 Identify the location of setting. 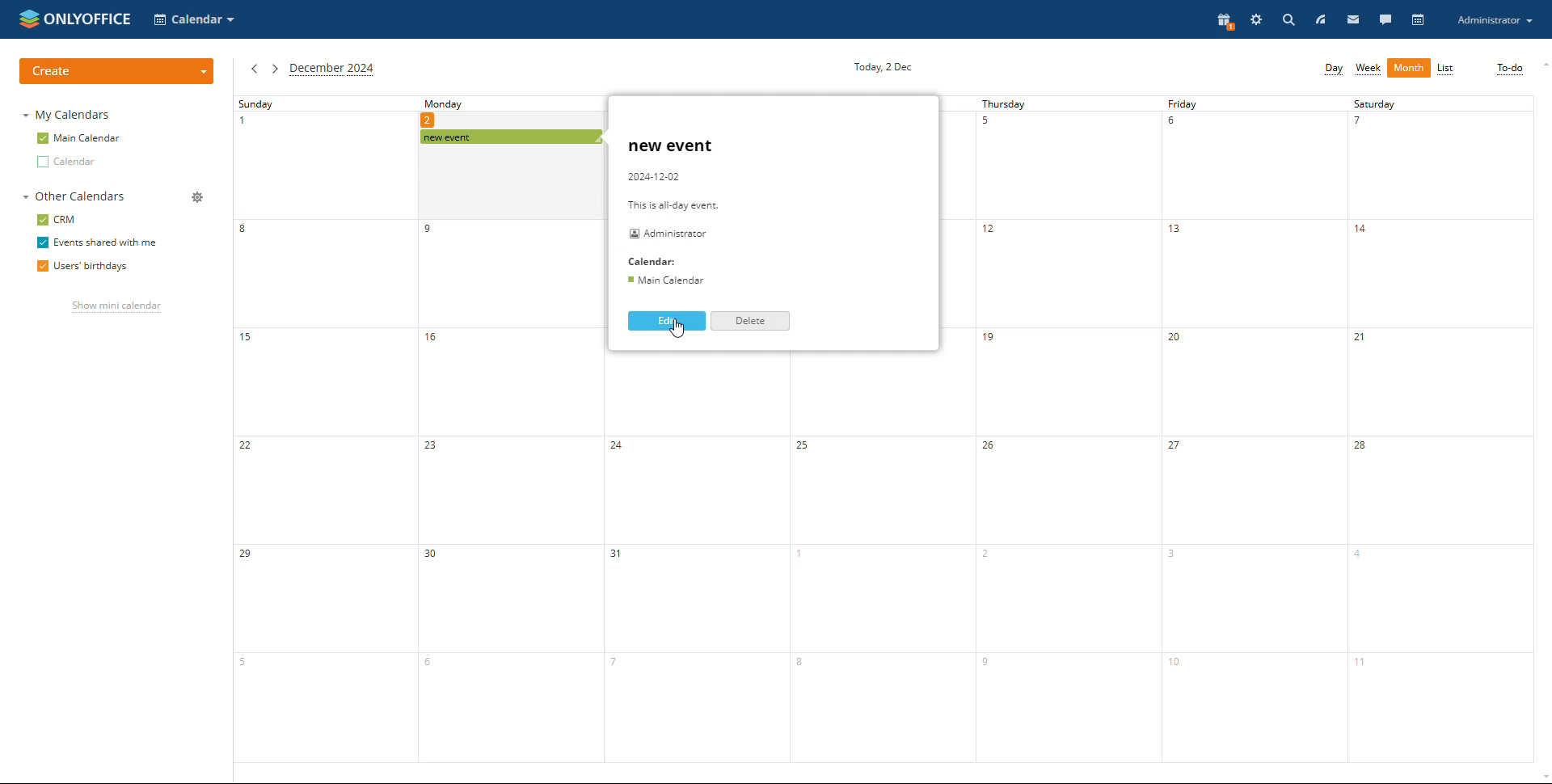
(1256, 20).